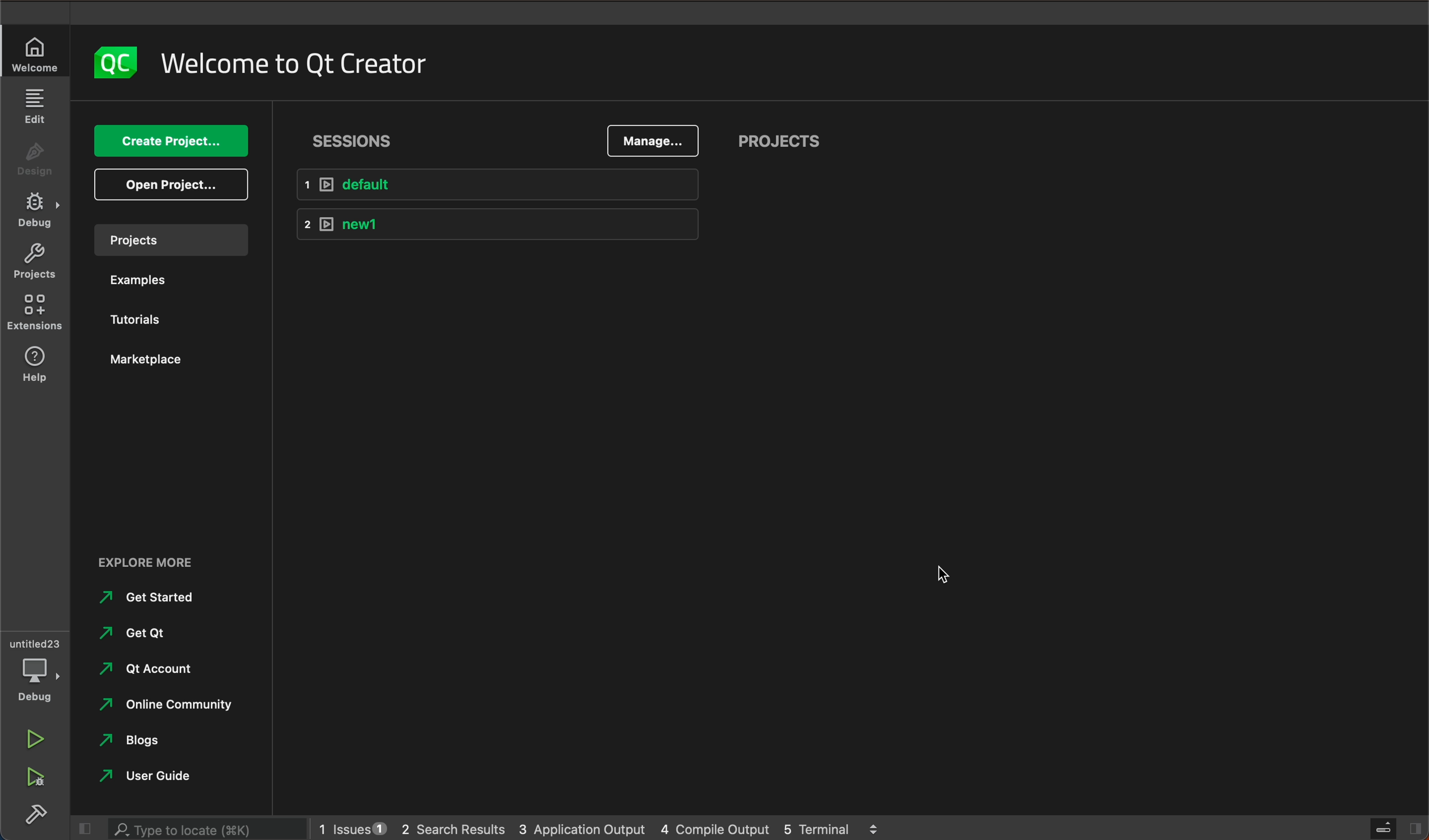 The width and height of the screenshot is (1429, 840). Describe the element at coordinates (453, 828) in the screenshot. I see `search results` at that location.